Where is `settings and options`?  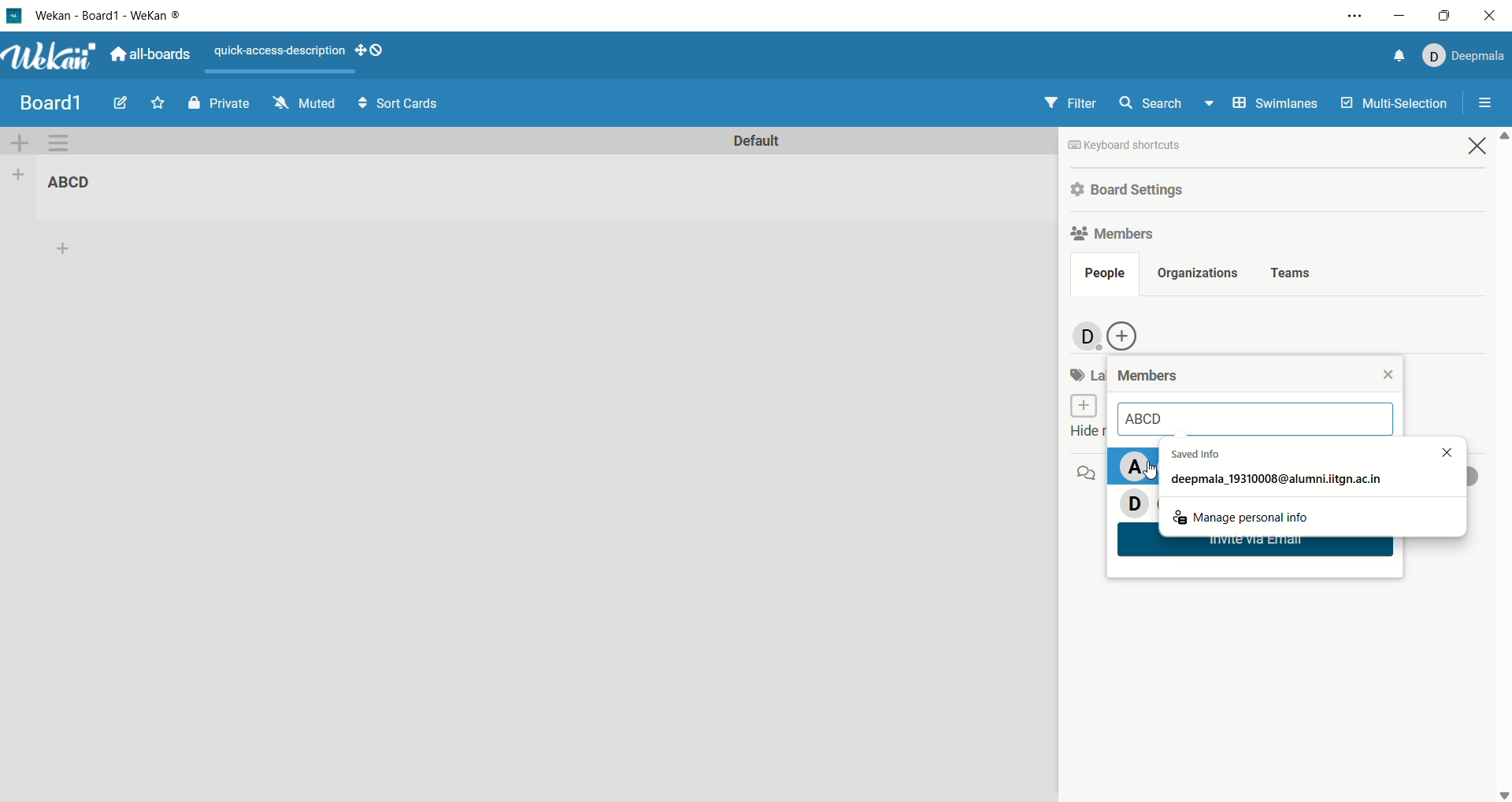
settings and options is located at coordinates (1355, 17).